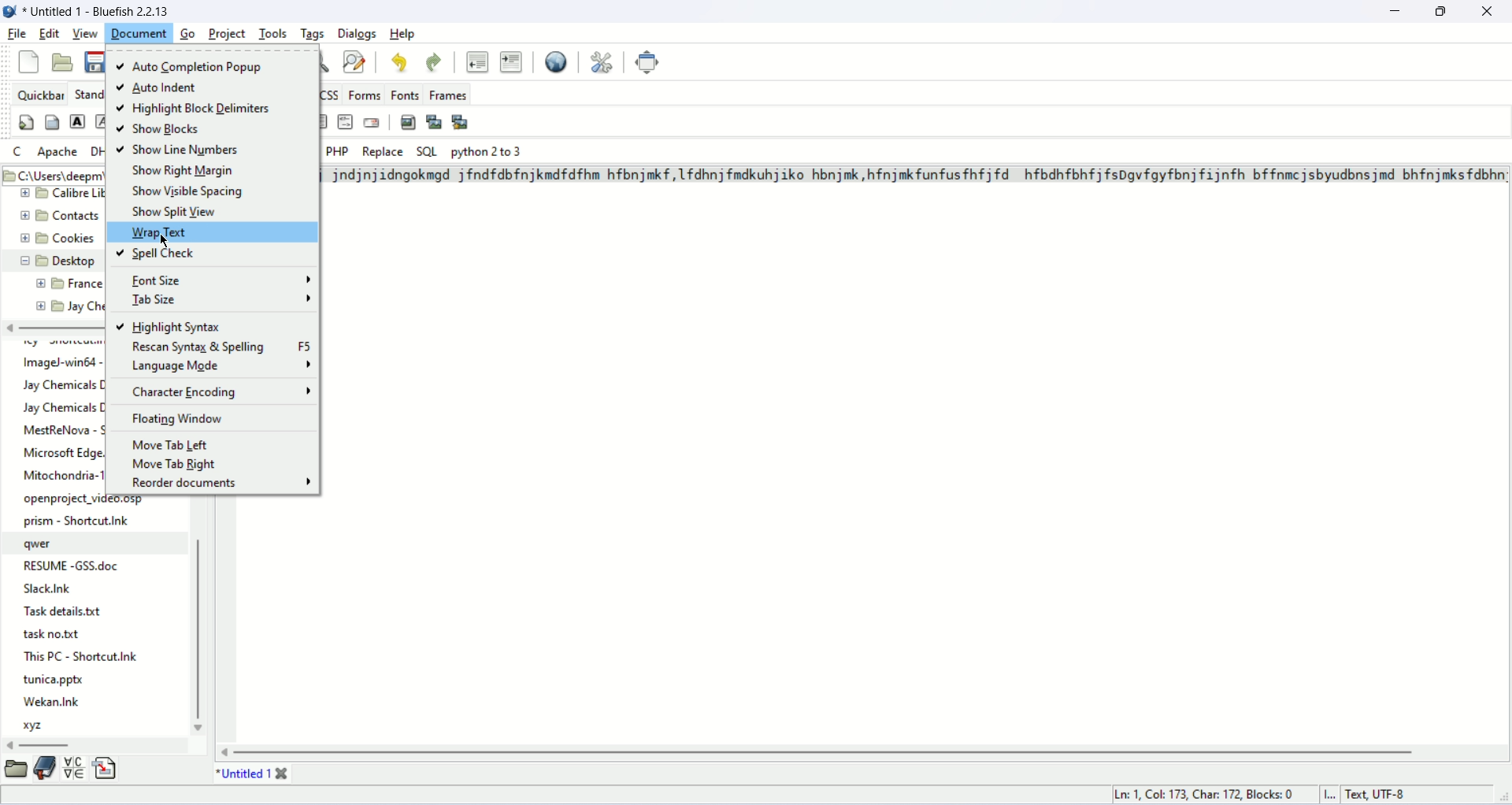  I want to click on Apache, so click(58, 153).